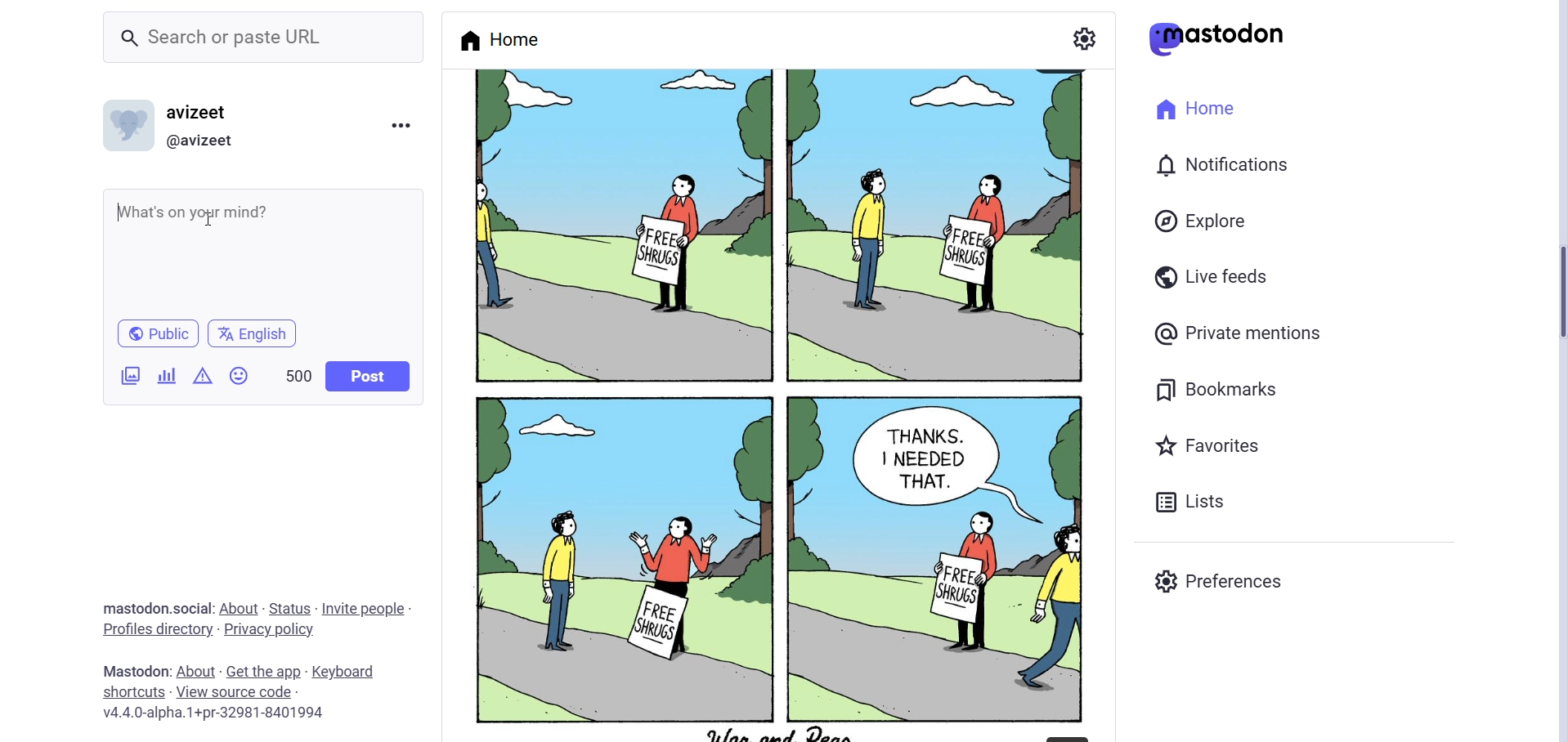 This screenshot has width=1568, height=742. Describe the element at coordinates (213, 219) in the screenshot. I see `Cursor` at that location.